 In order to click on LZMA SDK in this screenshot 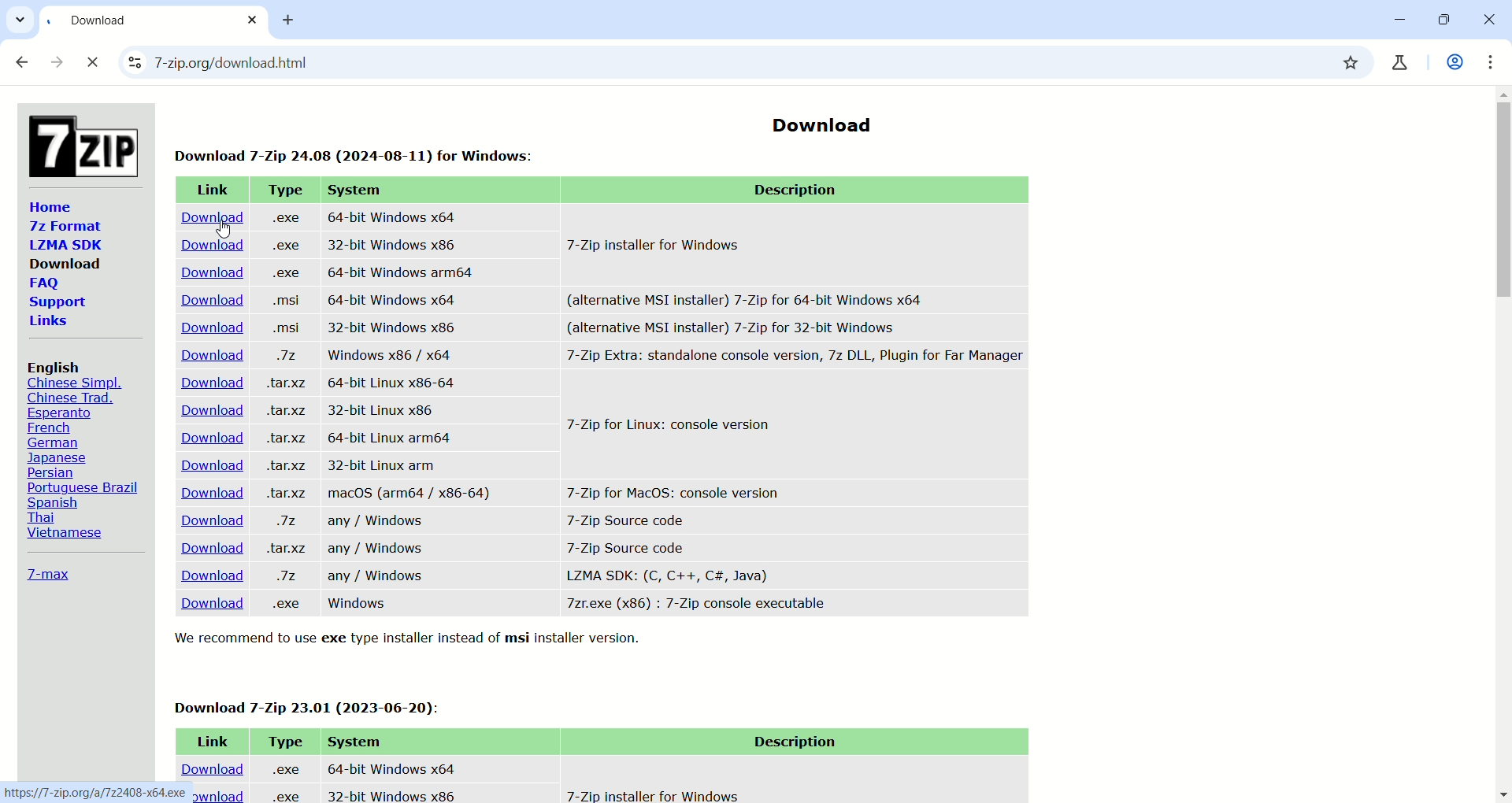, I will do `click(64, 244)`.